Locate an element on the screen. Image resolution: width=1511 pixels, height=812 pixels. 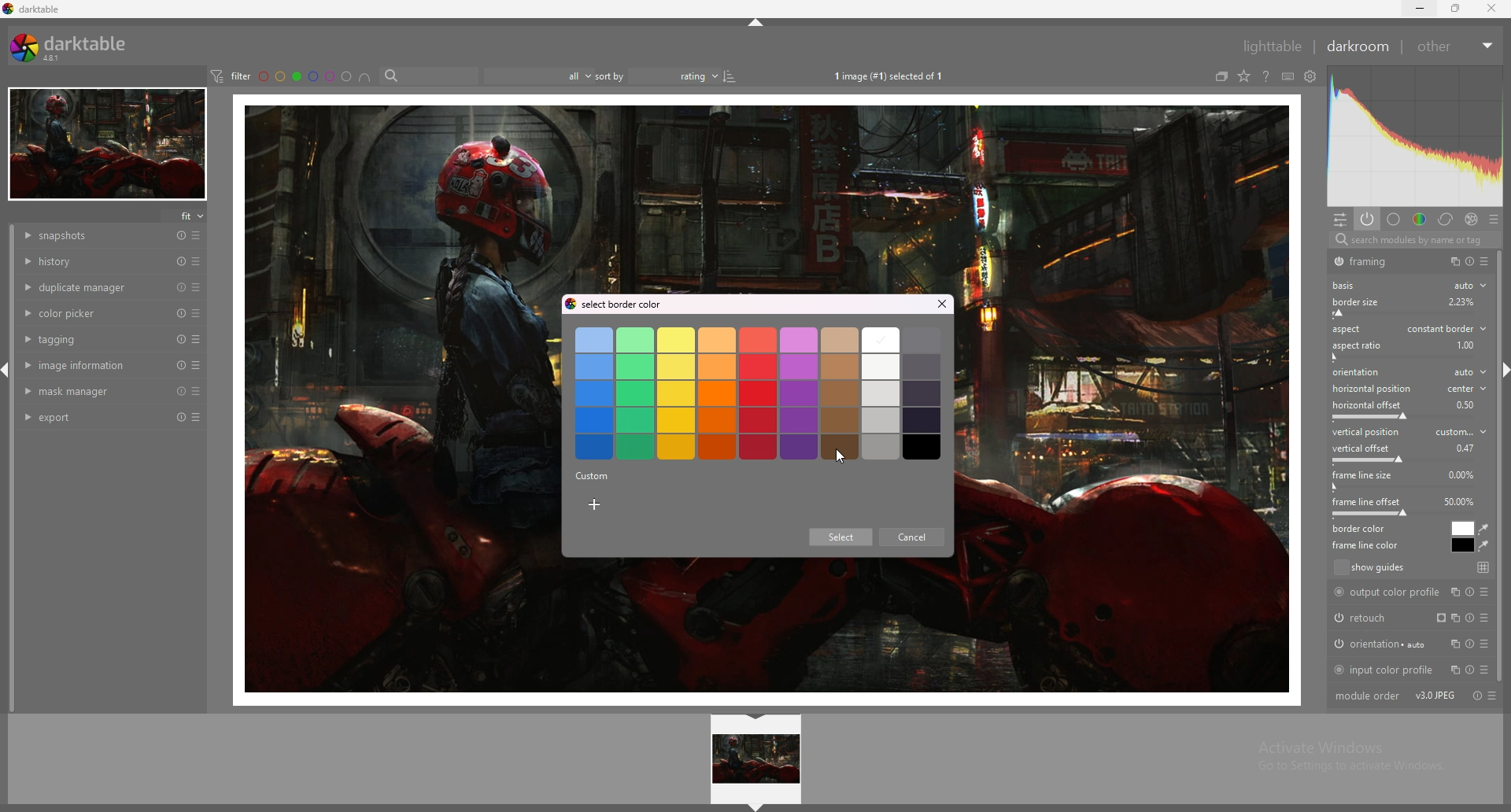
aspect is located at coordinates (1346, 329).